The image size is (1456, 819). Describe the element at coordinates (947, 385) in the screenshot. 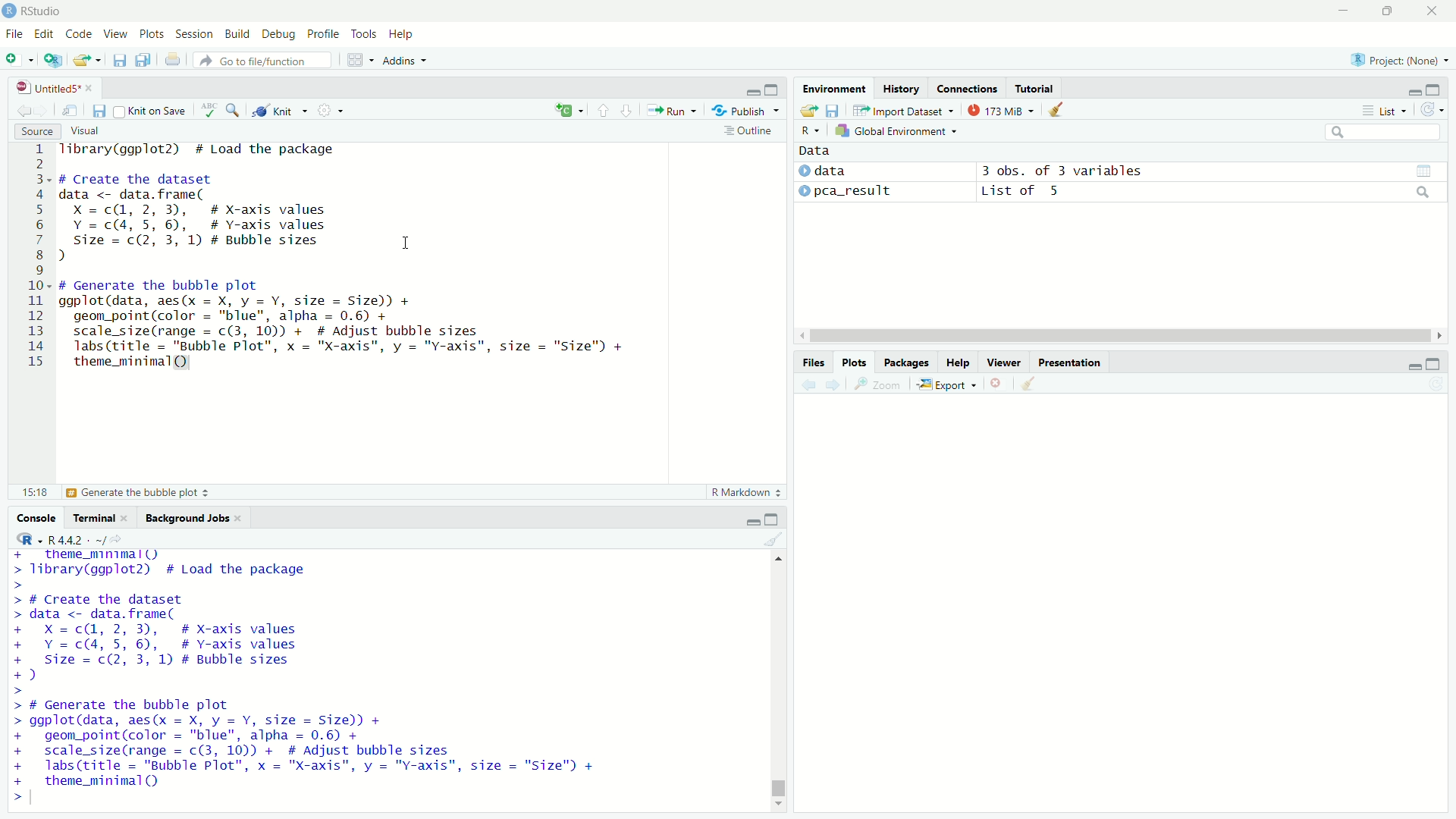

I see `export` at that location.